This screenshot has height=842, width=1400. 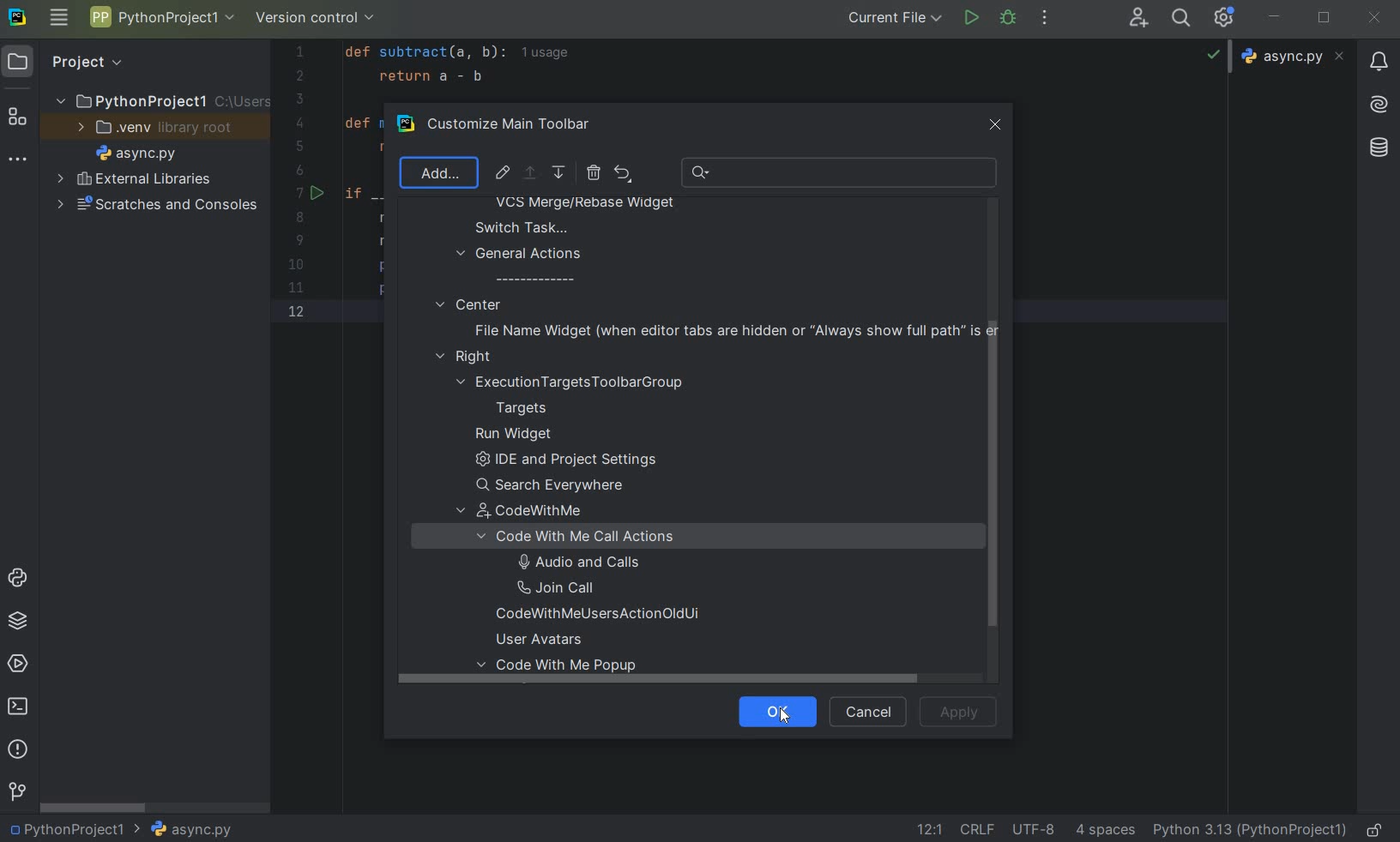 What do you see at coordinates (132, 154) in the screenshot?
I see `FILE NAME` at bounding box center [132, 154].